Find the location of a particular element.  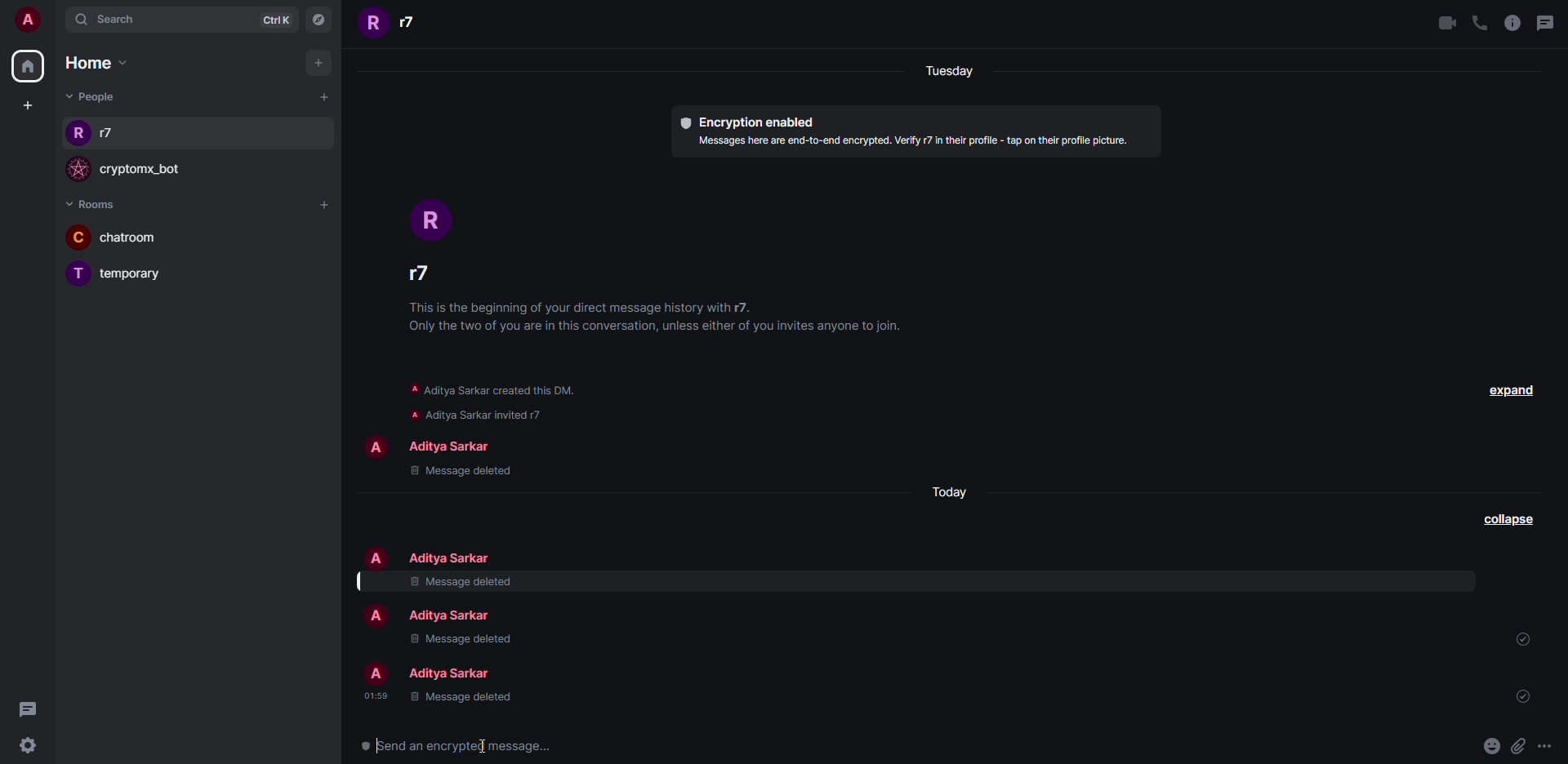

create space is located at coordinates (27, 104).